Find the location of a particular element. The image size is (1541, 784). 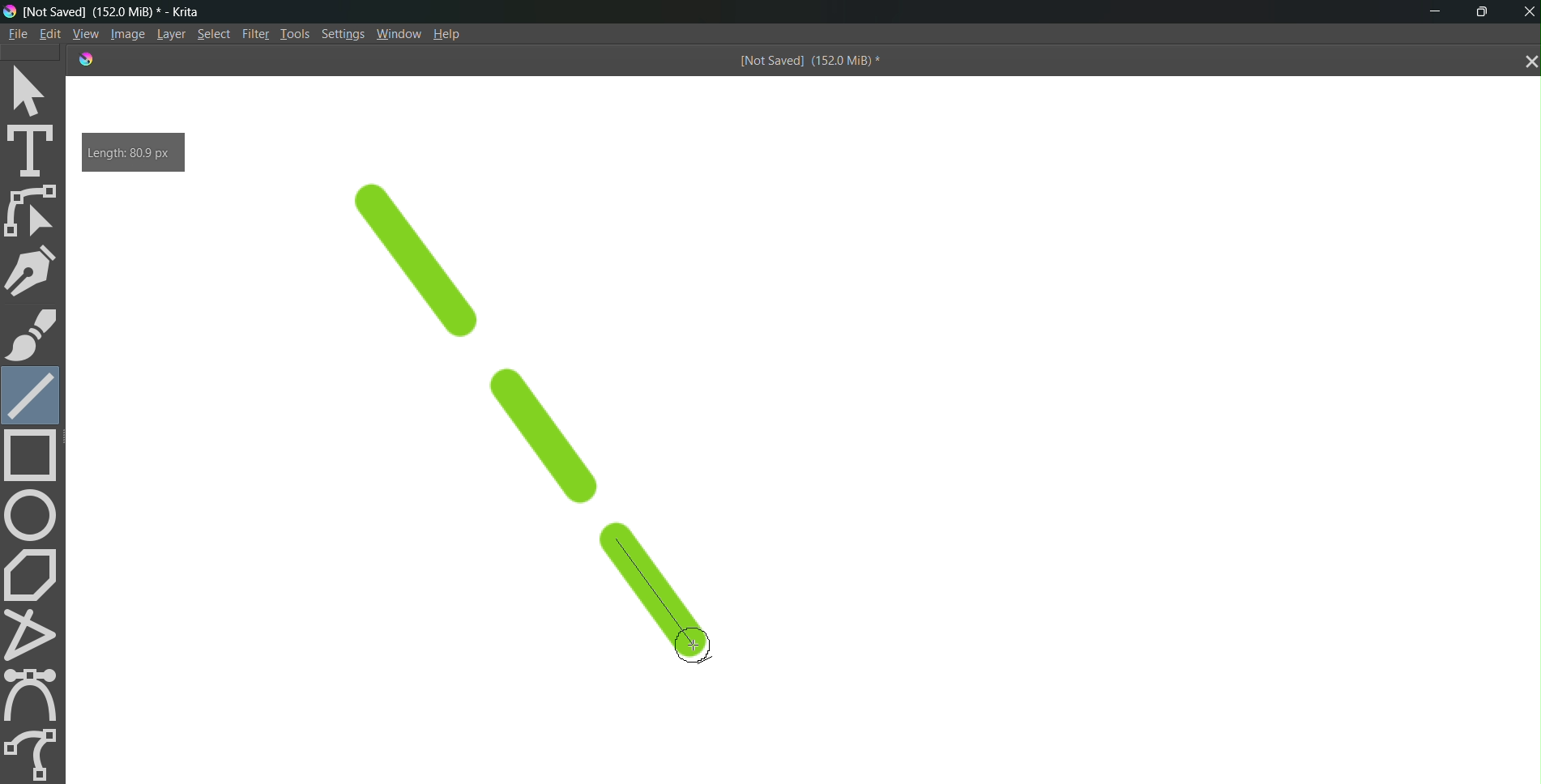

line is located at coordinates (428, 249).